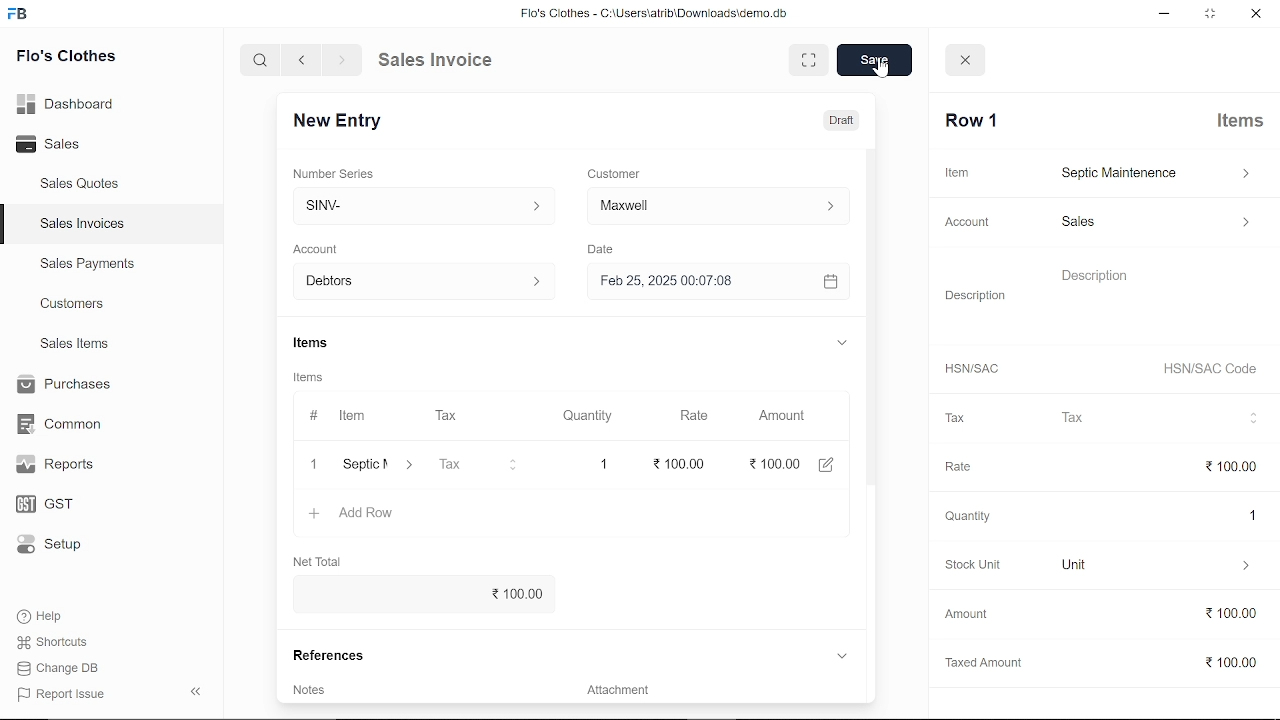 Image resolution: width=1280 pixels, height=720 pixels. Describe the element at coordinates (1221, 614) in the screenshot. I see `0.00` at that location.